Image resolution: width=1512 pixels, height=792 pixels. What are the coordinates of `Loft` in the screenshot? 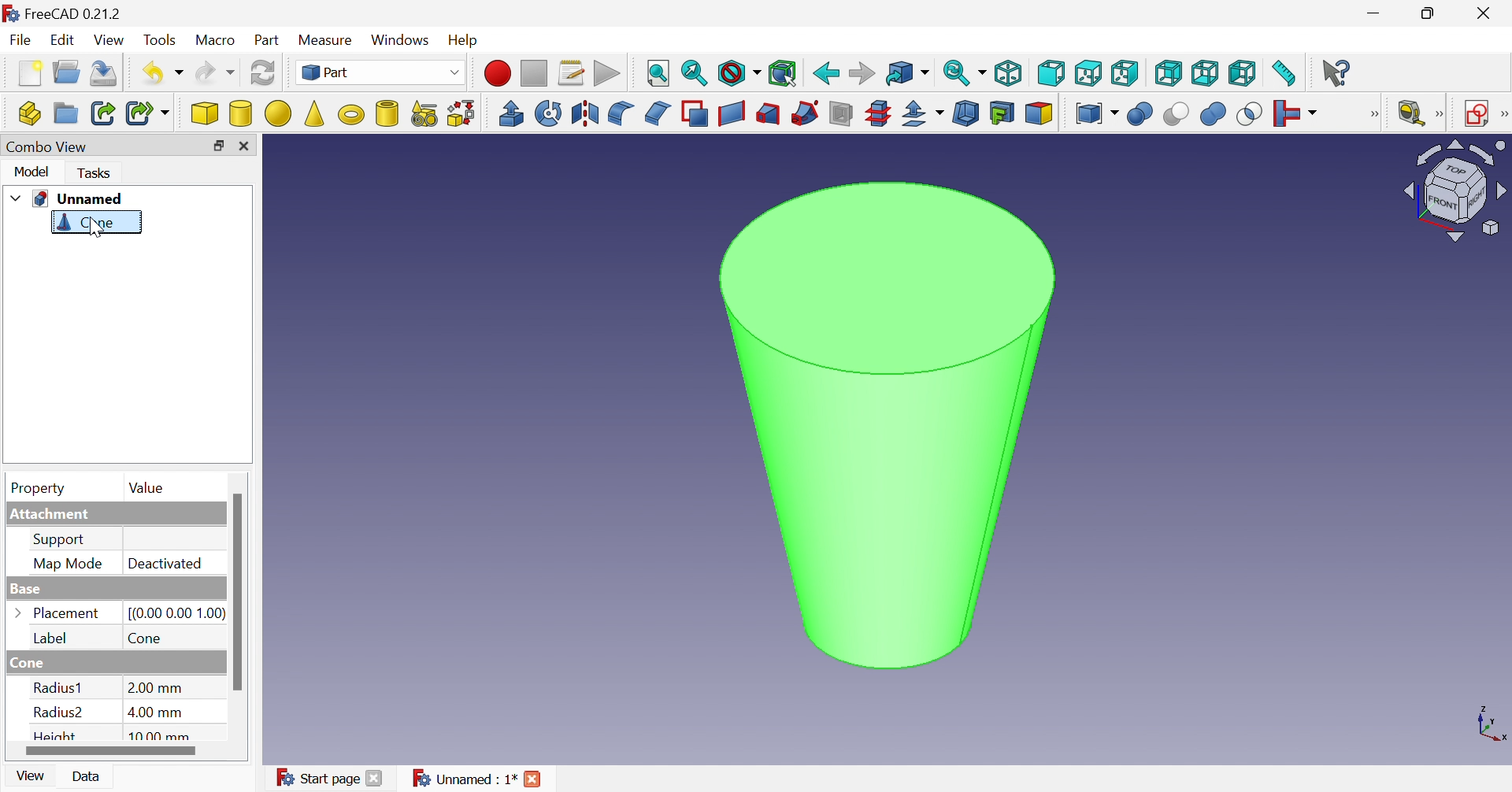 It's located at (767, 113).